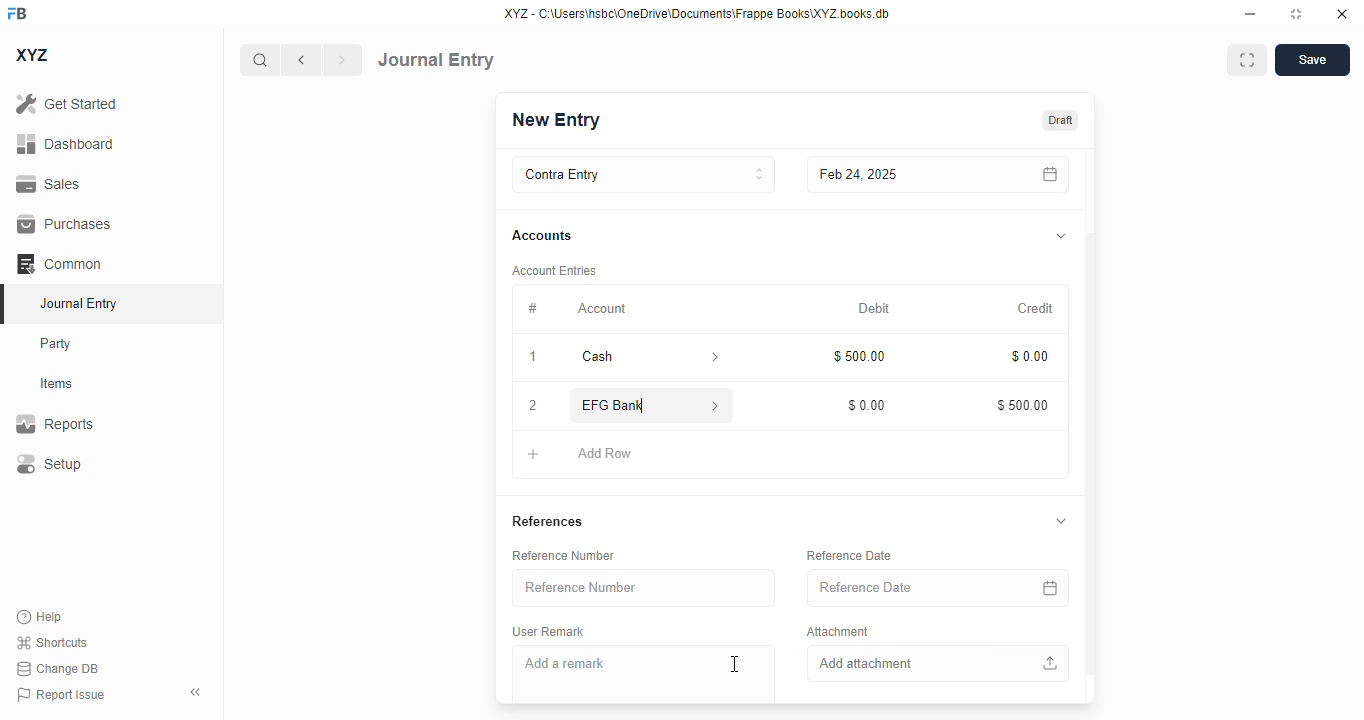 This screenshot has width=1364, height=720. I want to click on calendar icon, so click(1047, 588).